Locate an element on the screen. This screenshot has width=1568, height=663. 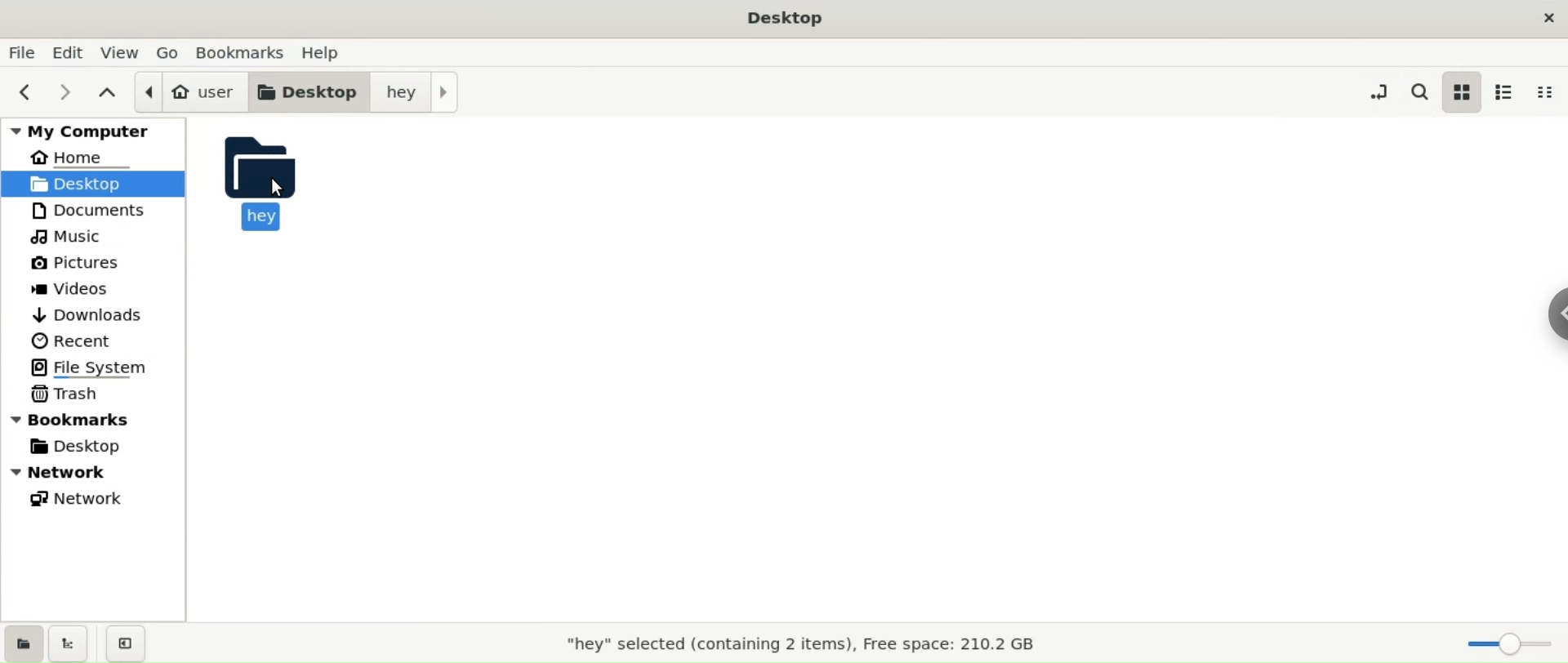
recent is located at coordinates (71, 340).